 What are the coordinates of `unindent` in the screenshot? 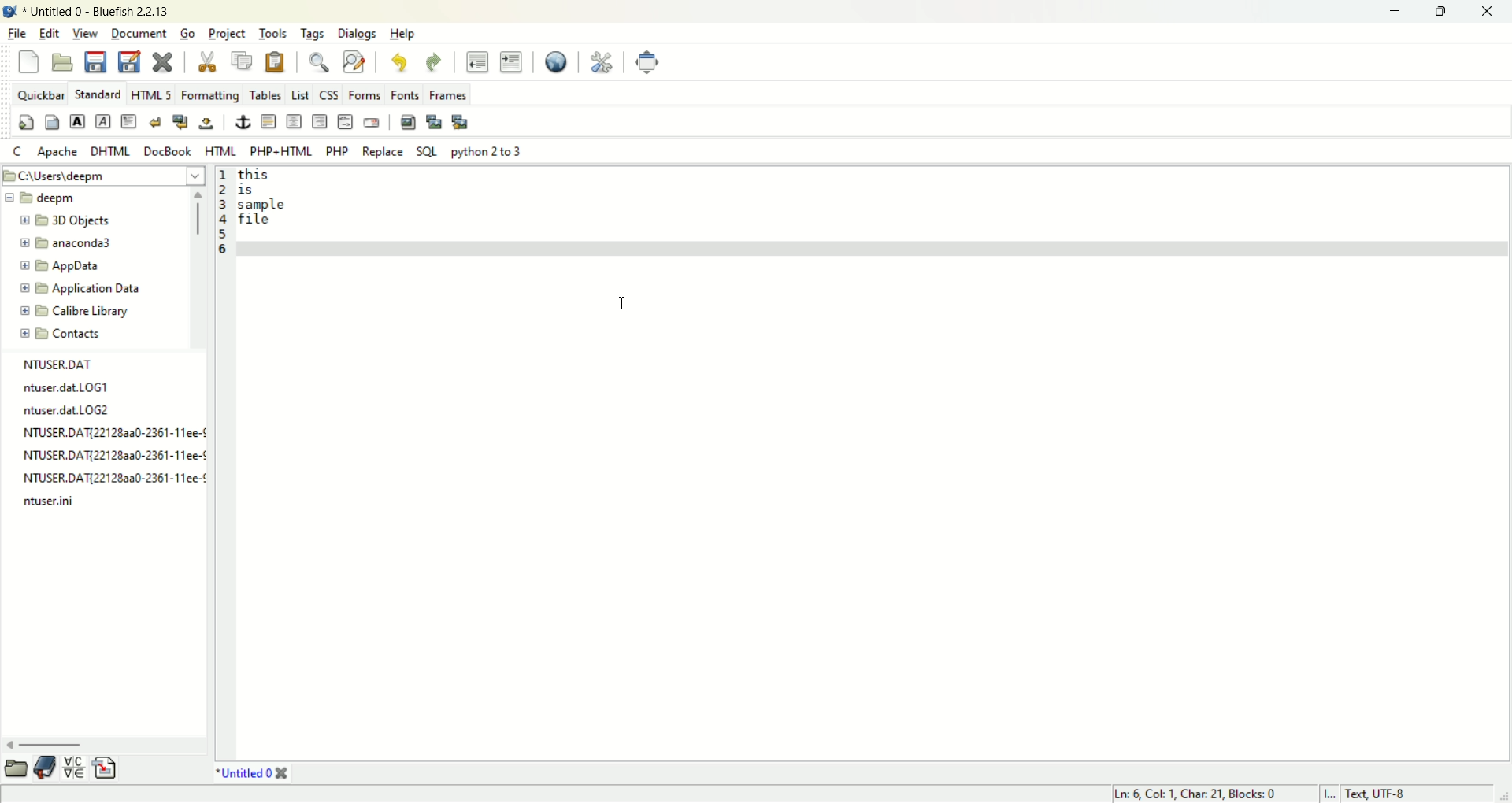 It's located at (480, 61).